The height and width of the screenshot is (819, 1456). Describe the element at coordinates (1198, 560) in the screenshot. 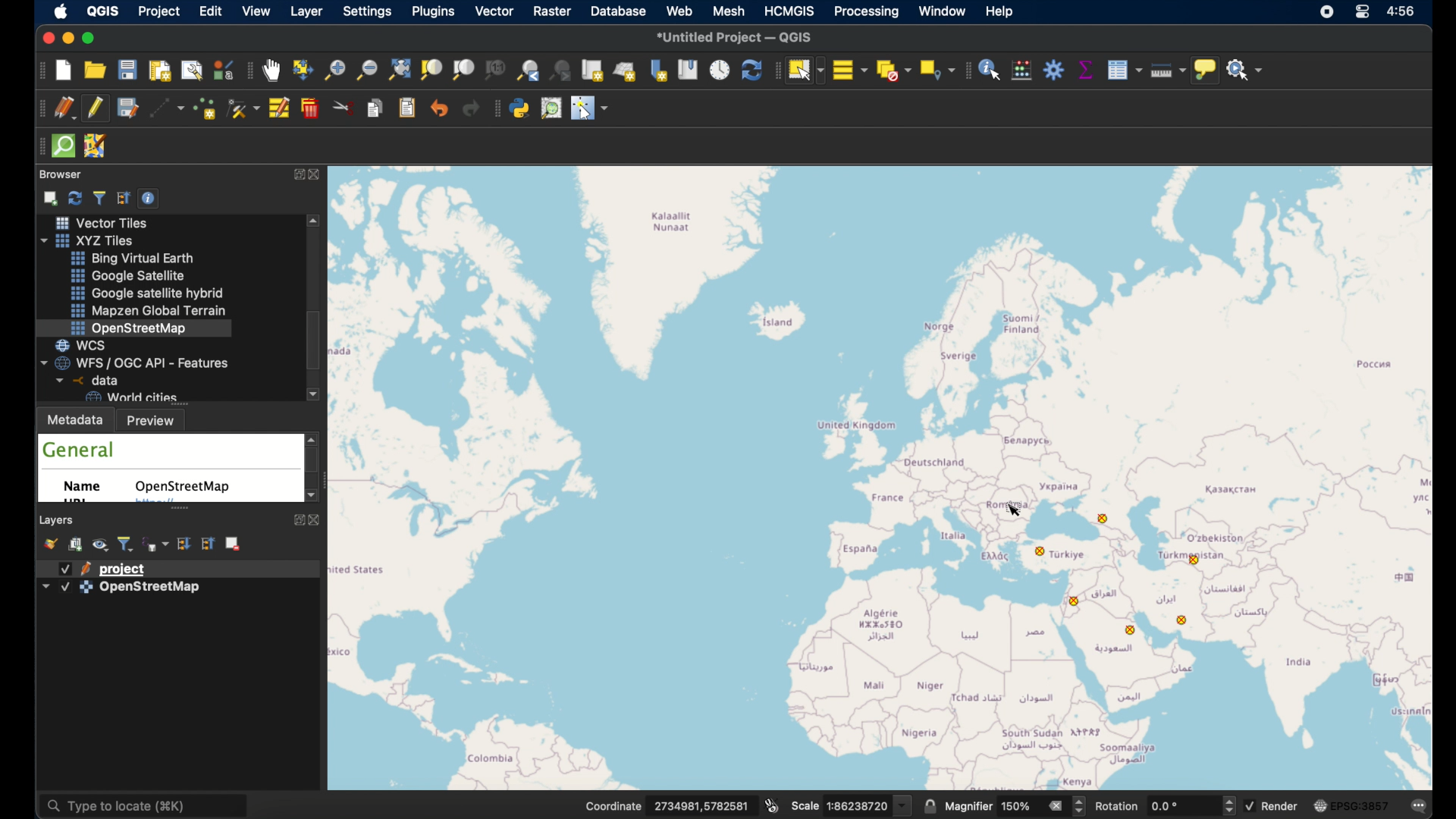

I see `point. feature` at that location.